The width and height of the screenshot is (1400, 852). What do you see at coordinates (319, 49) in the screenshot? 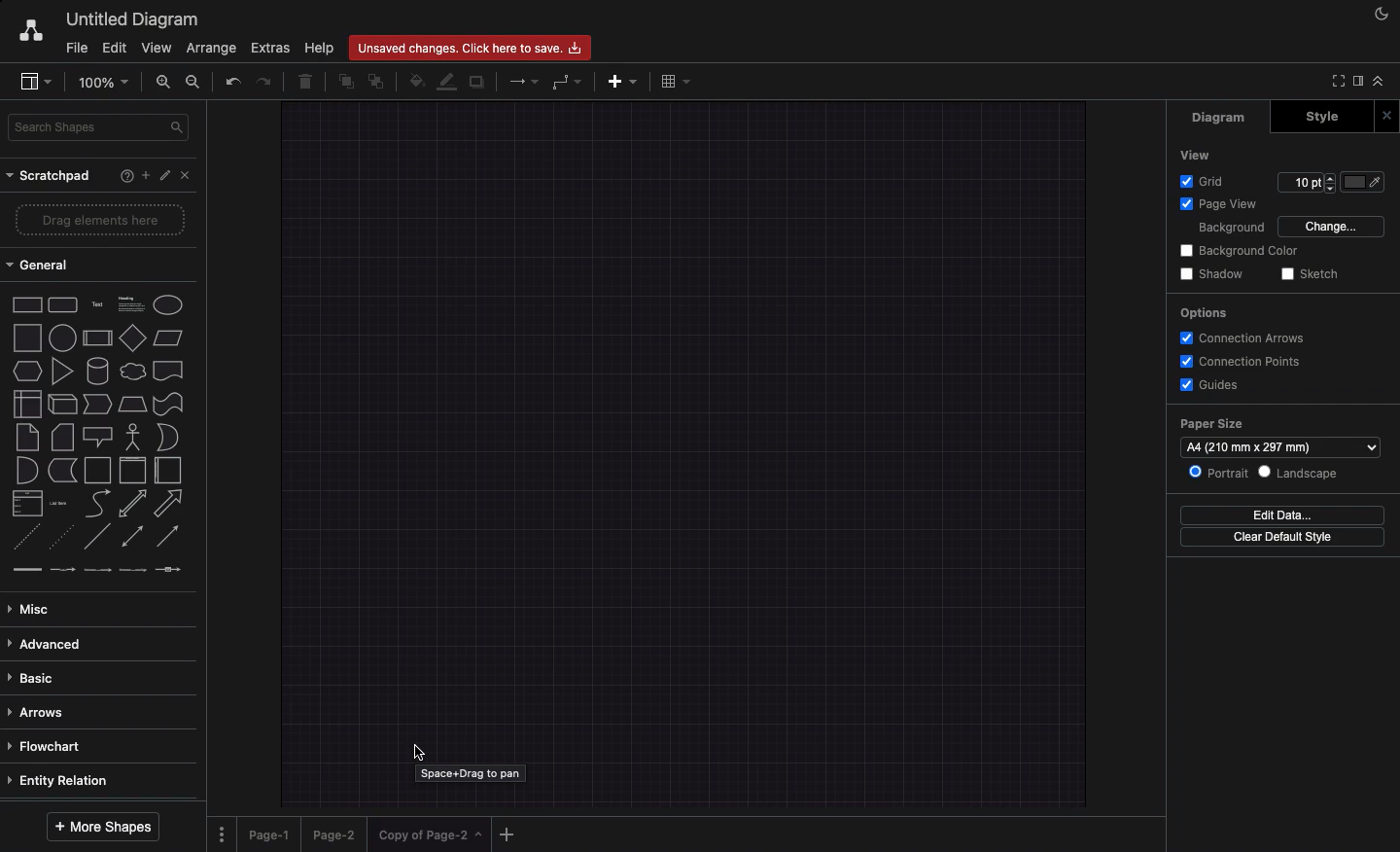
I see `Help` at bounding box center [319, 49].